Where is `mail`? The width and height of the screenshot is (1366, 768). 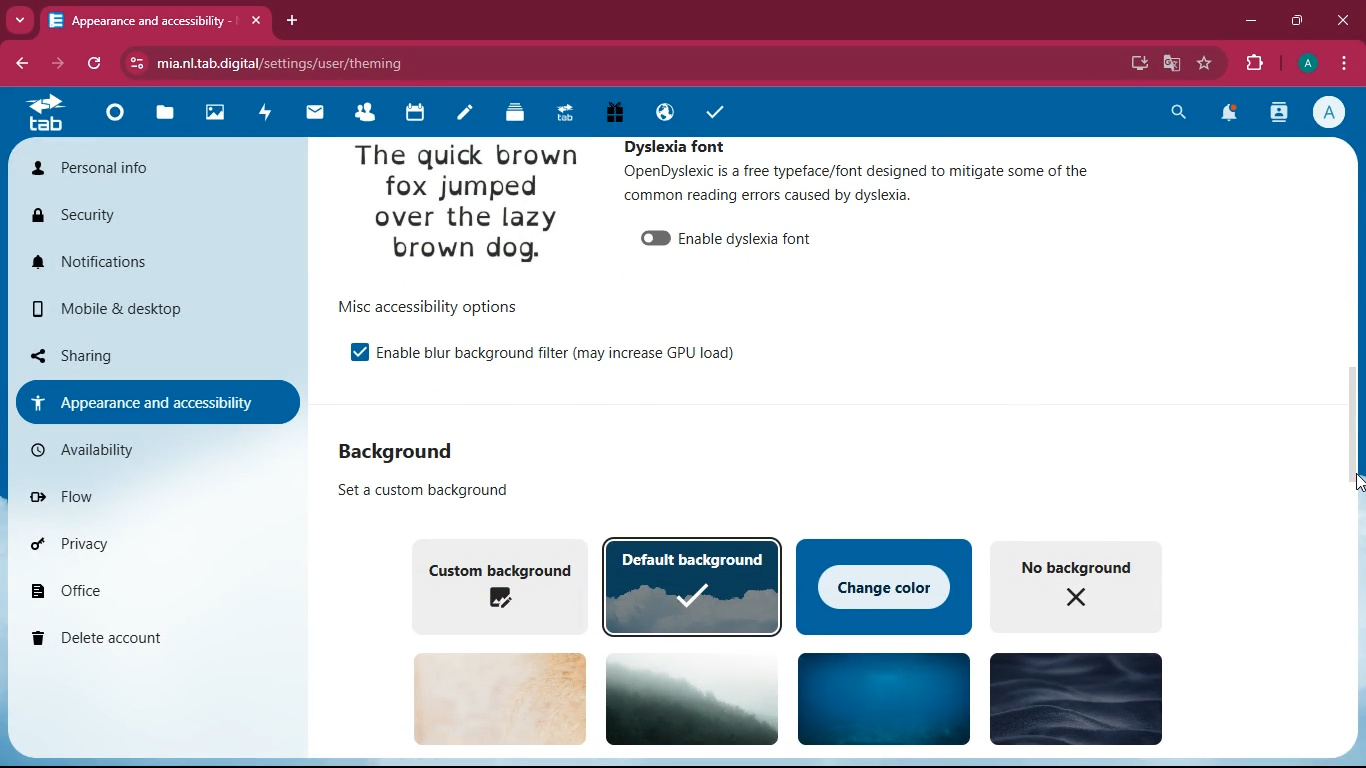
mail is located at coordinates (310, 113).